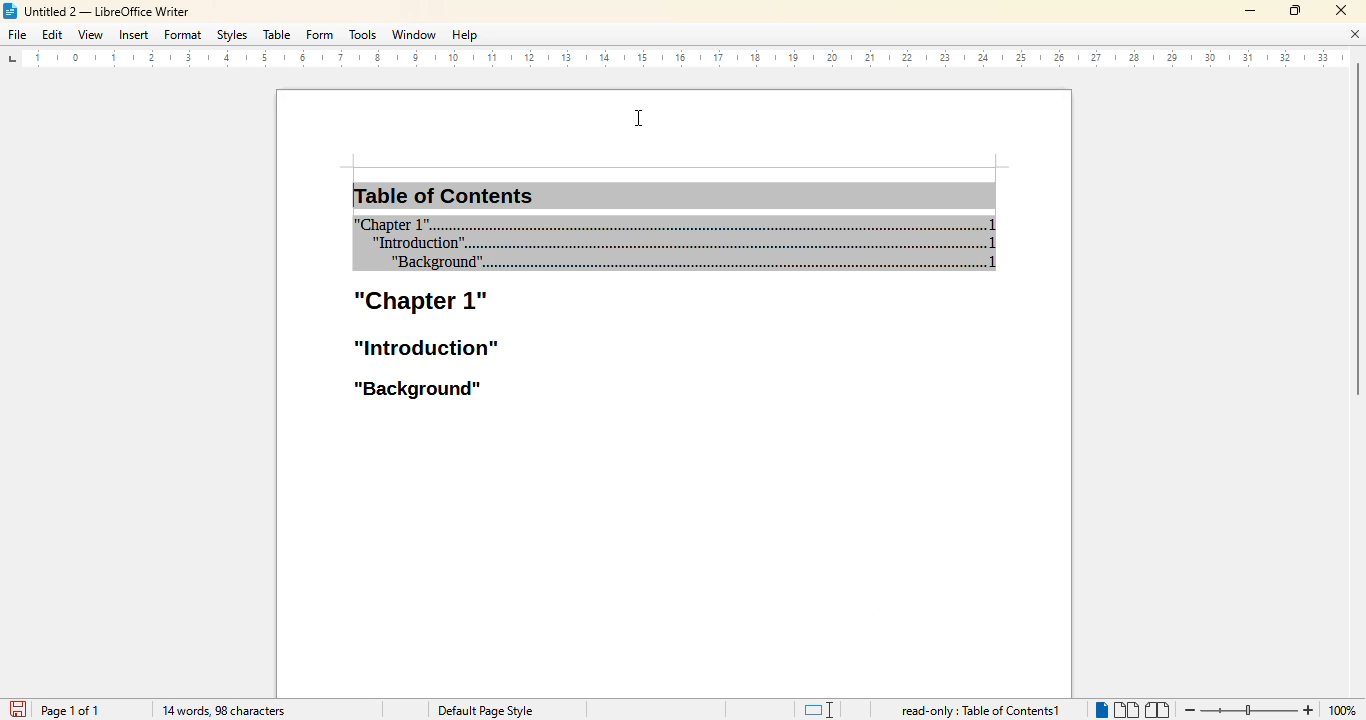 The image size is (1366, 720). Describe the element at coordinates (71, 710) in the screenshot. I see `page 1 of 1` at that location.